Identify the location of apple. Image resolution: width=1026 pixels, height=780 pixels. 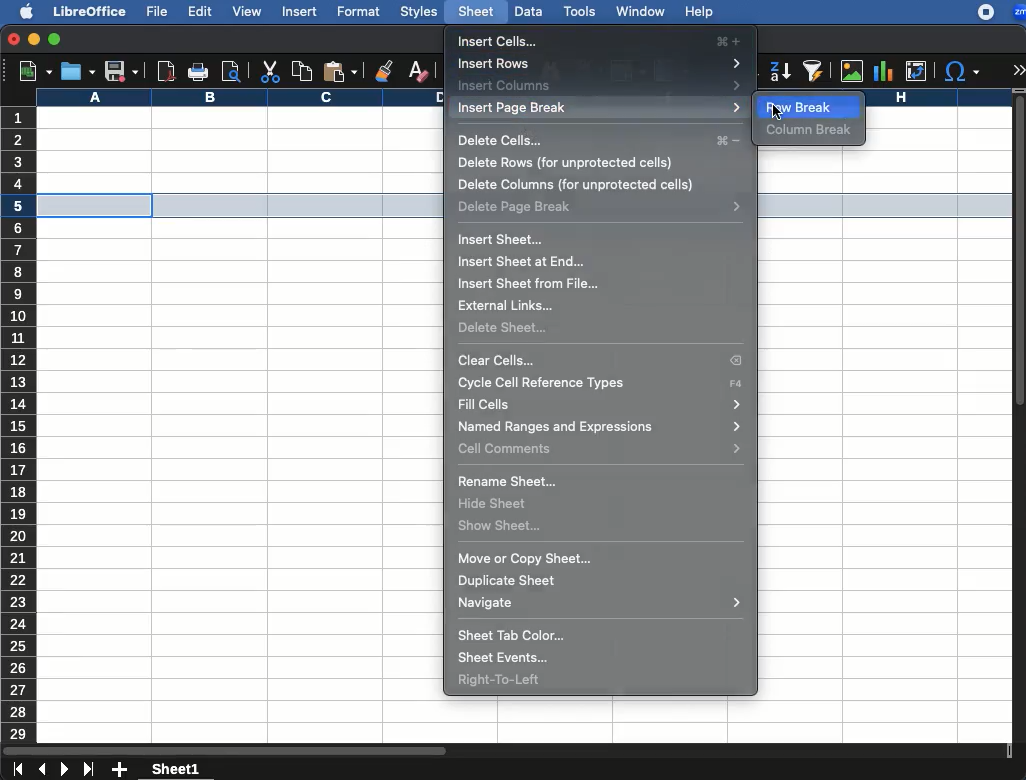
(24, 11).